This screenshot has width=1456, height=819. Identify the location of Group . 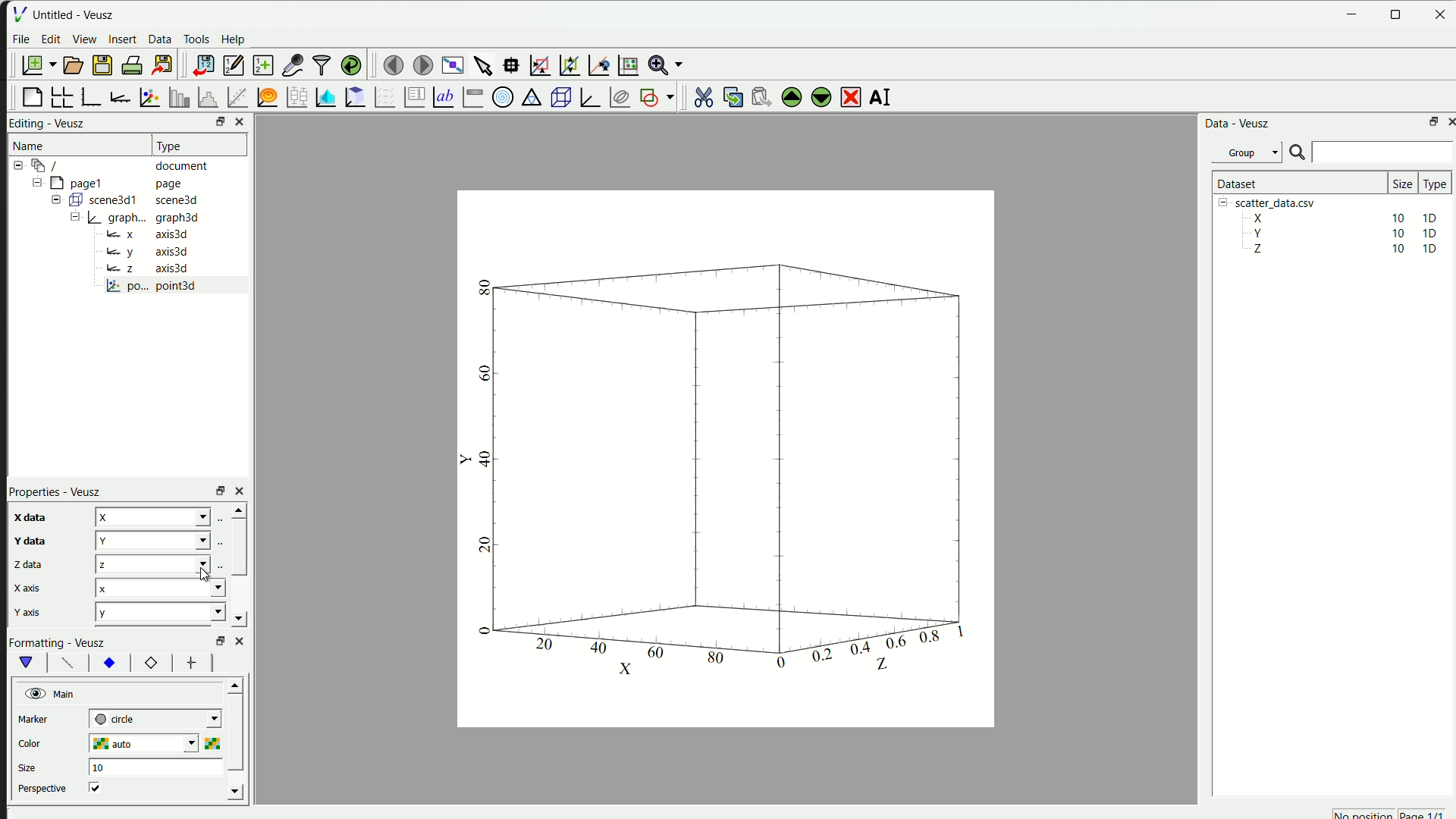
(1247, 154).